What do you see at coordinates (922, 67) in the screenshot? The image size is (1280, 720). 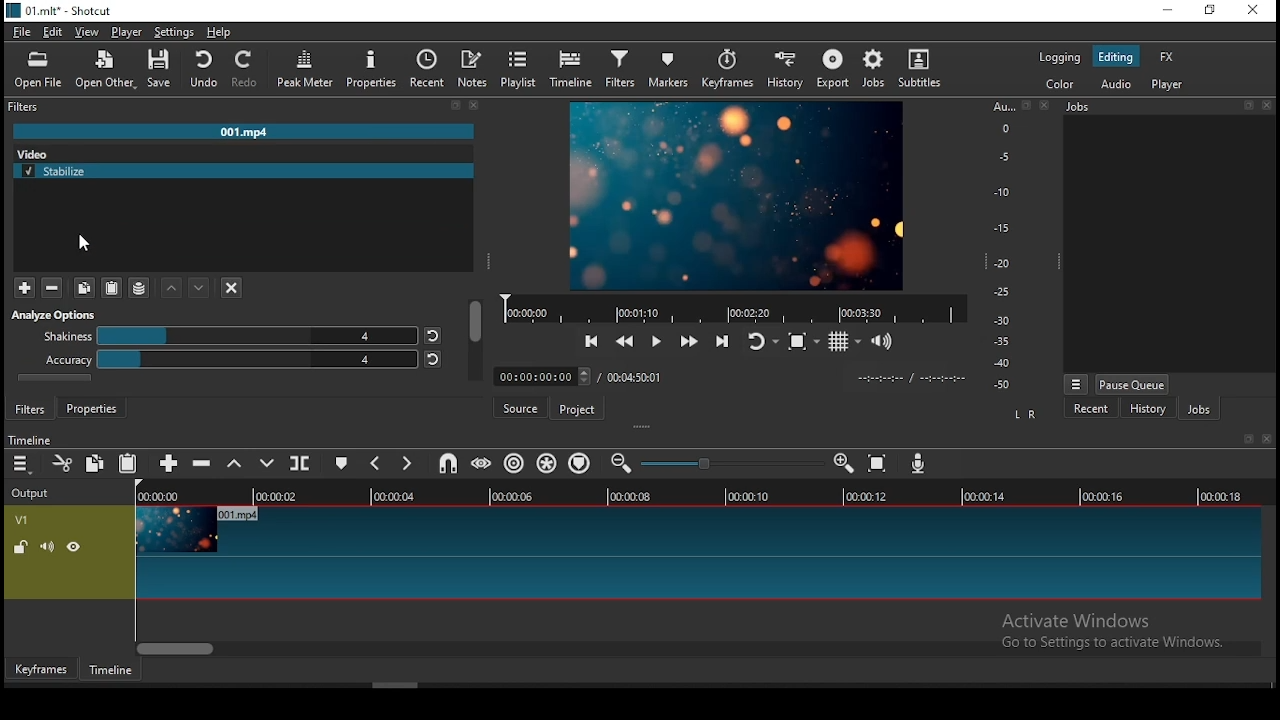 I see `subtitles` at bounding box center [922, 67].